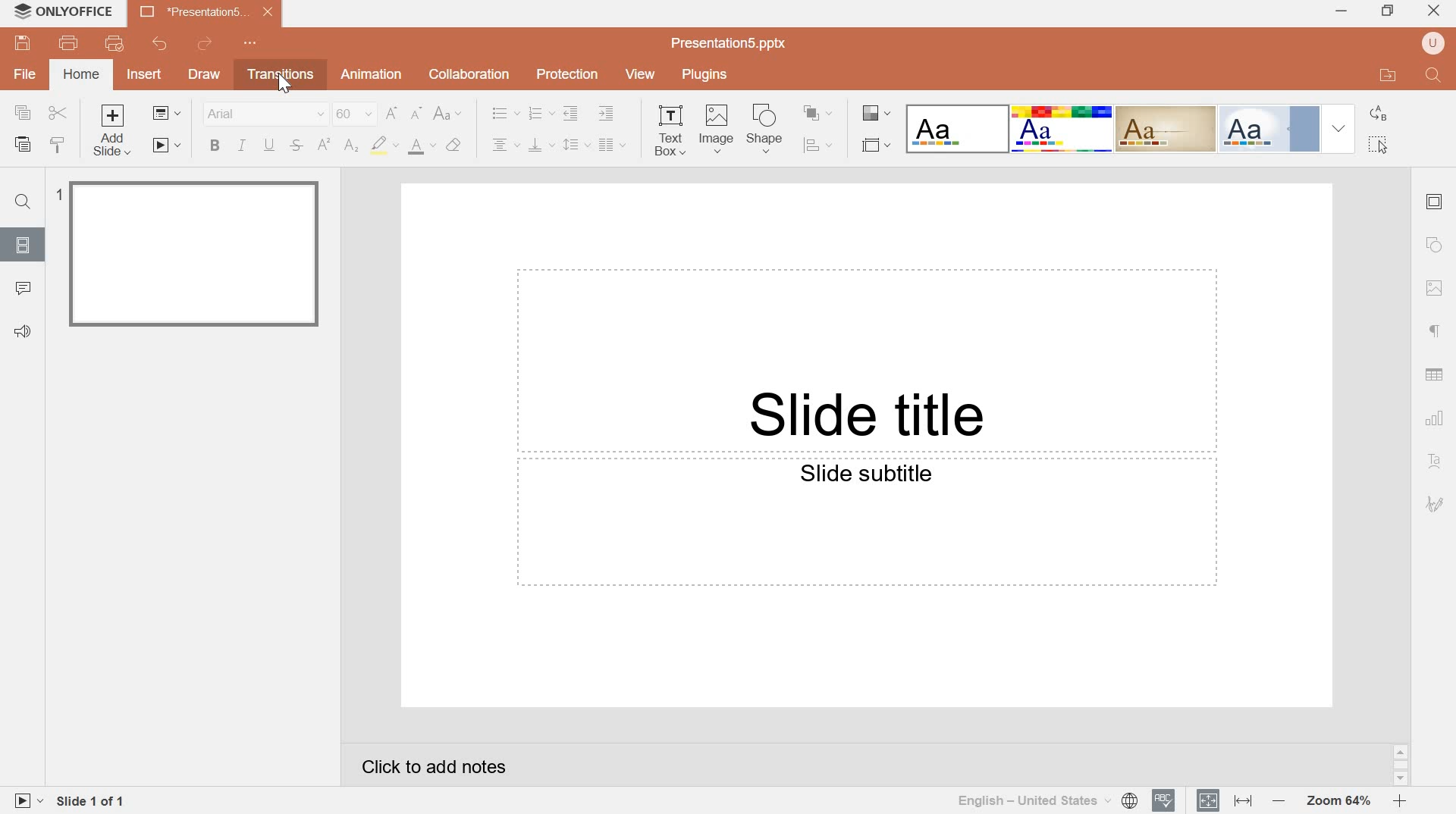 This screenshot has width=1456, height=814. I want to click on view, so click(643, 74).